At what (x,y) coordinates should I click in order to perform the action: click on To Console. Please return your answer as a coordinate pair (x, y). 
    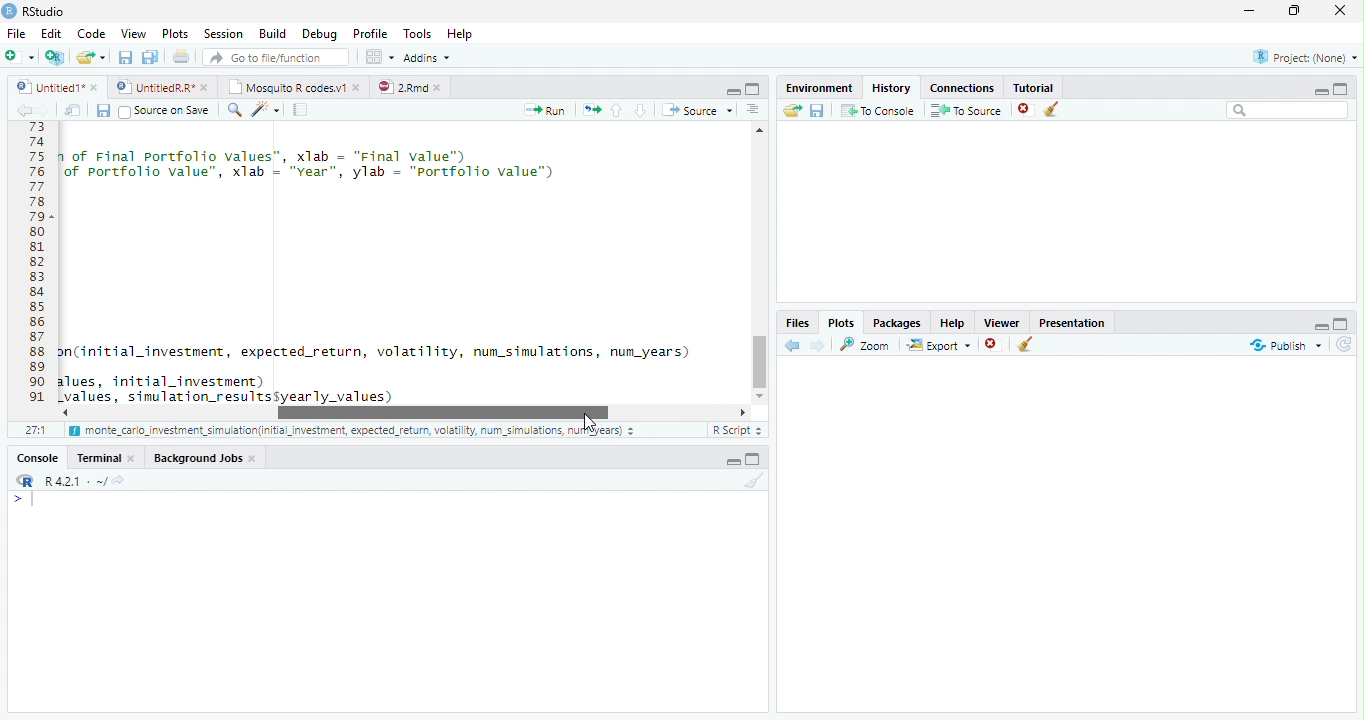
    Looking at the image, I should click on (877, 110).